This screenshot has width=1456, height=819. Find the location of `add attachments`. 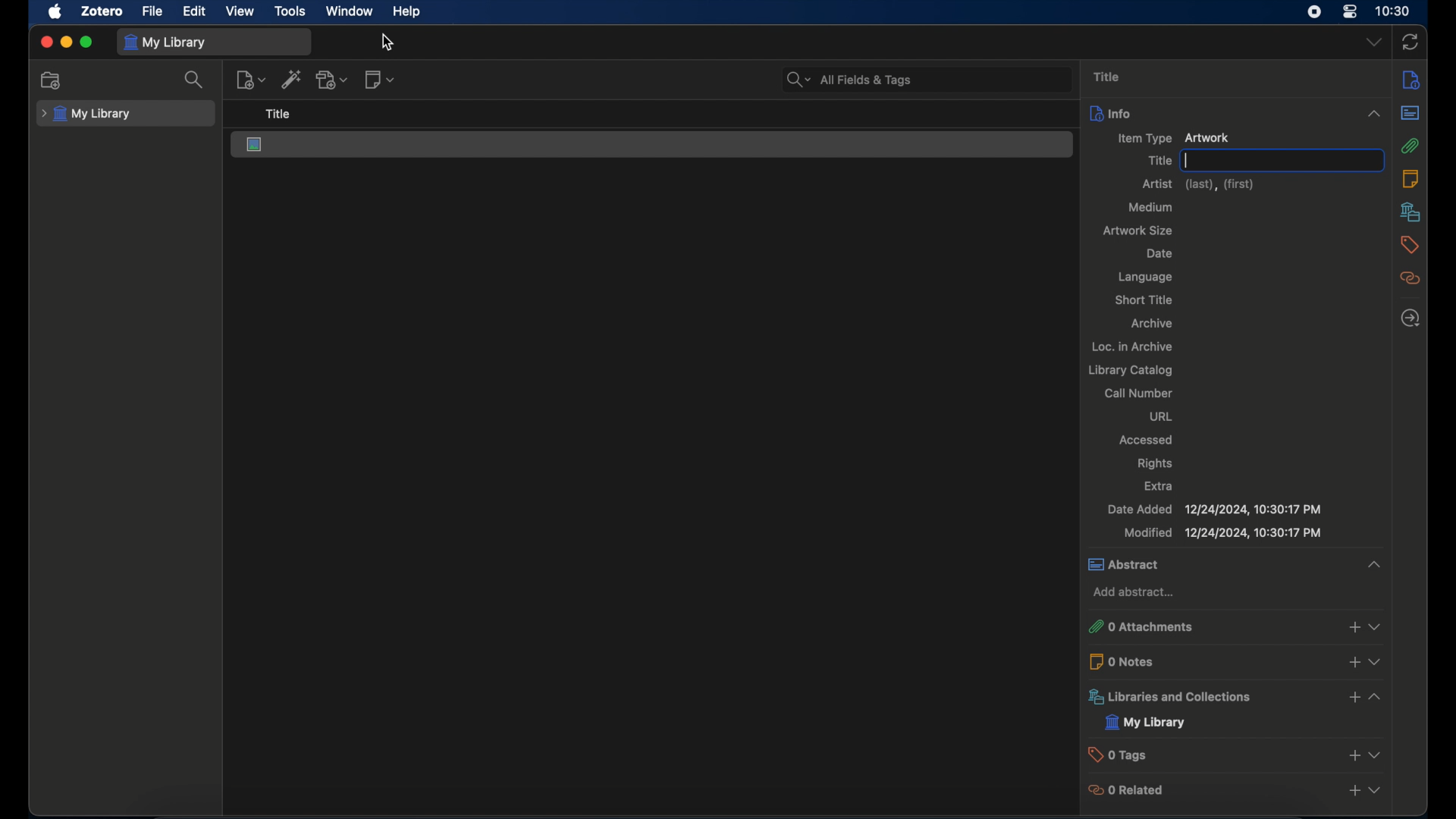

add attachments is located at coordinates (332, 80).